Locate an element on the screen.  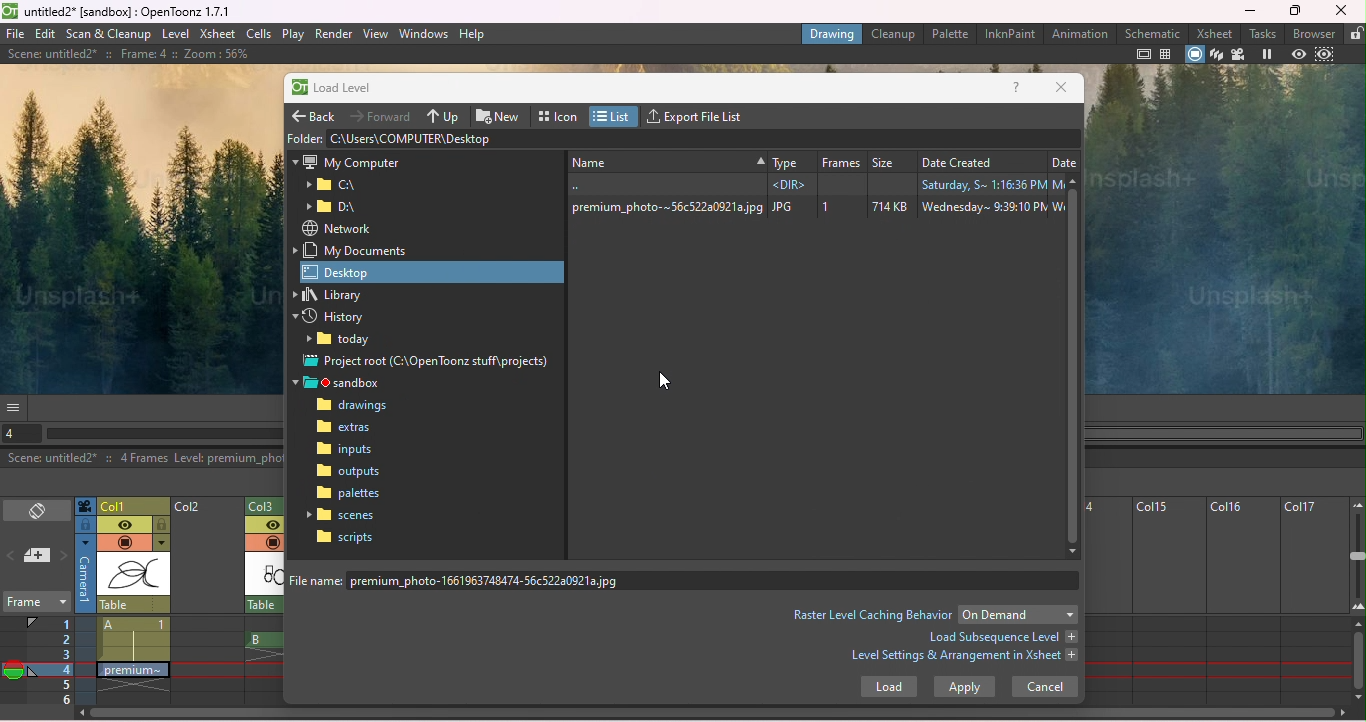
New is located at coordinates (501, 114).